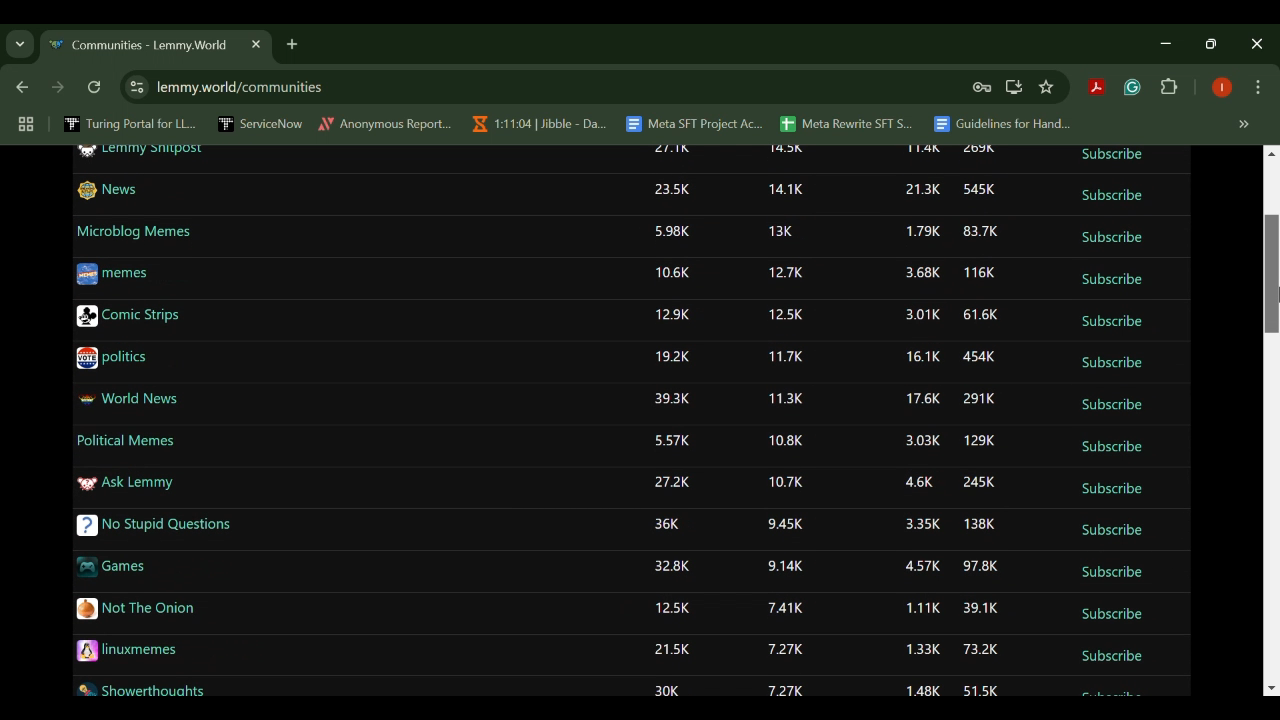 The height and width of the screenshot is (720, 1280). What do you see at coordinates (922, 148) in the screenshot?
I see `11.4K` at bounding box center [922, 148].